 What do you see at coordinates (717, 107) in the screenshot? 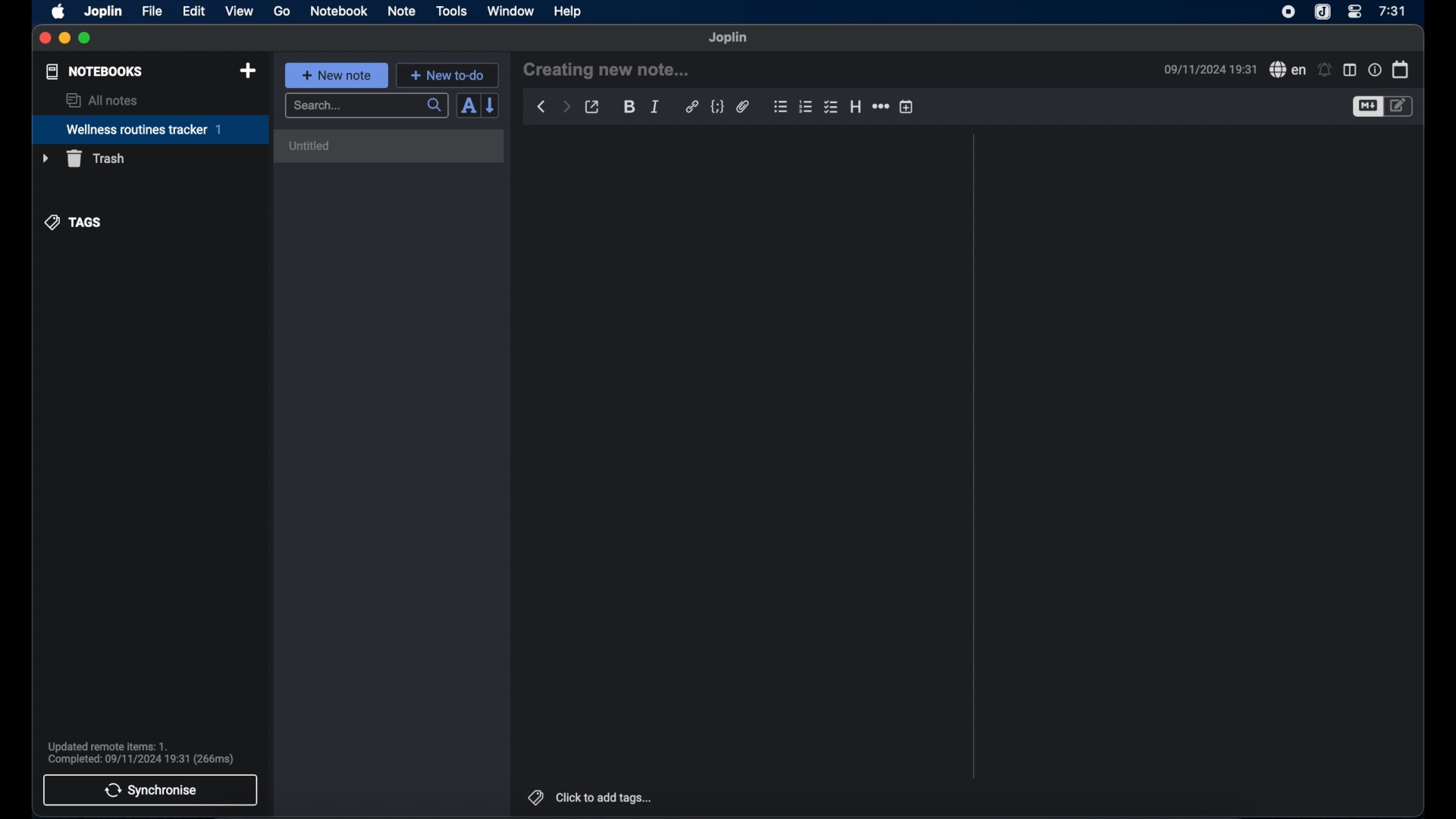
I see `code` at bounding box center [717, 107].